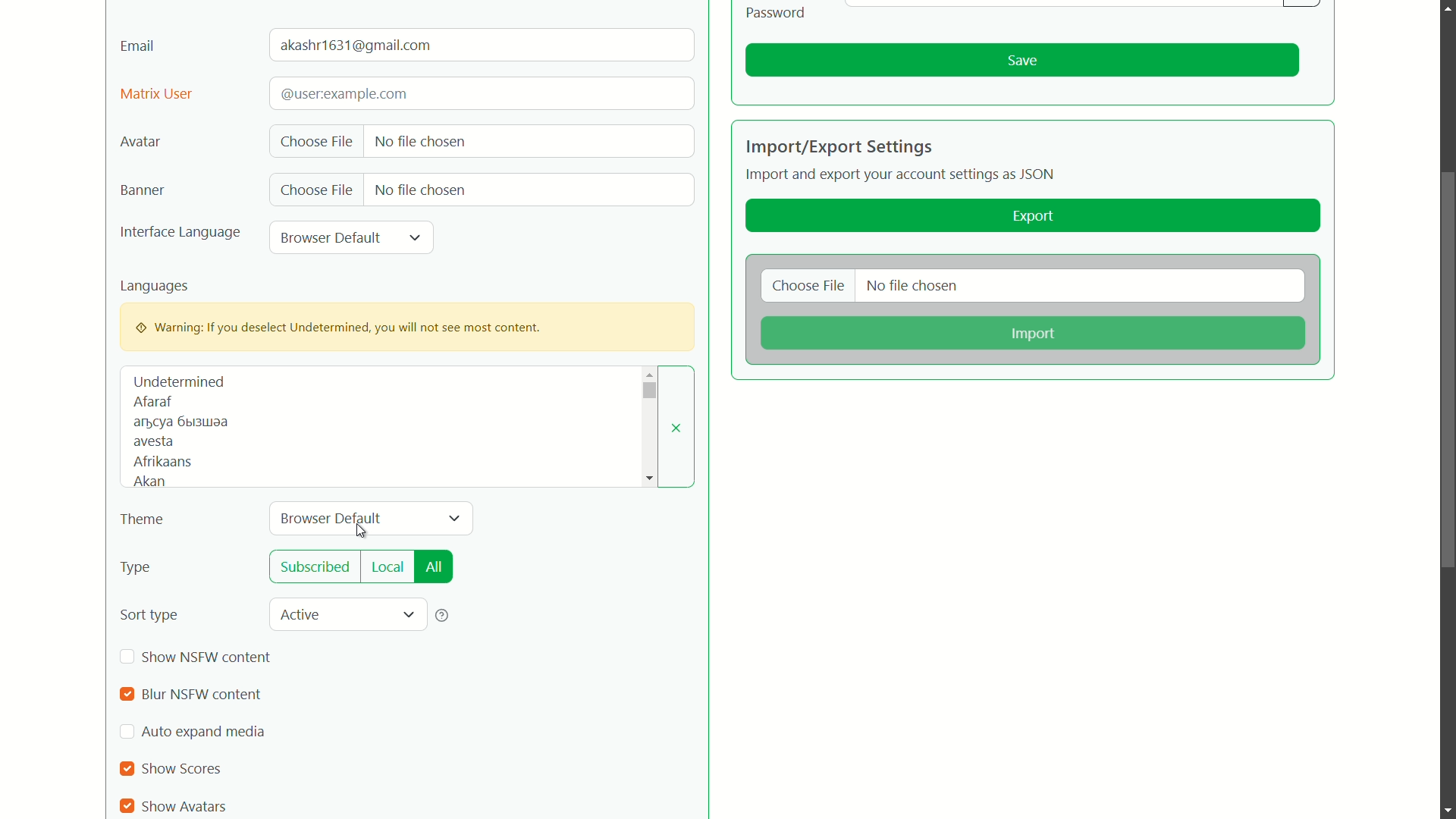 The width and height of the screenshot is (1456, 819). What do you see at coordinates (903, 177) in the screenshot?
I see `Import and export your account settings as JSON` at bounding box center [903, 177].